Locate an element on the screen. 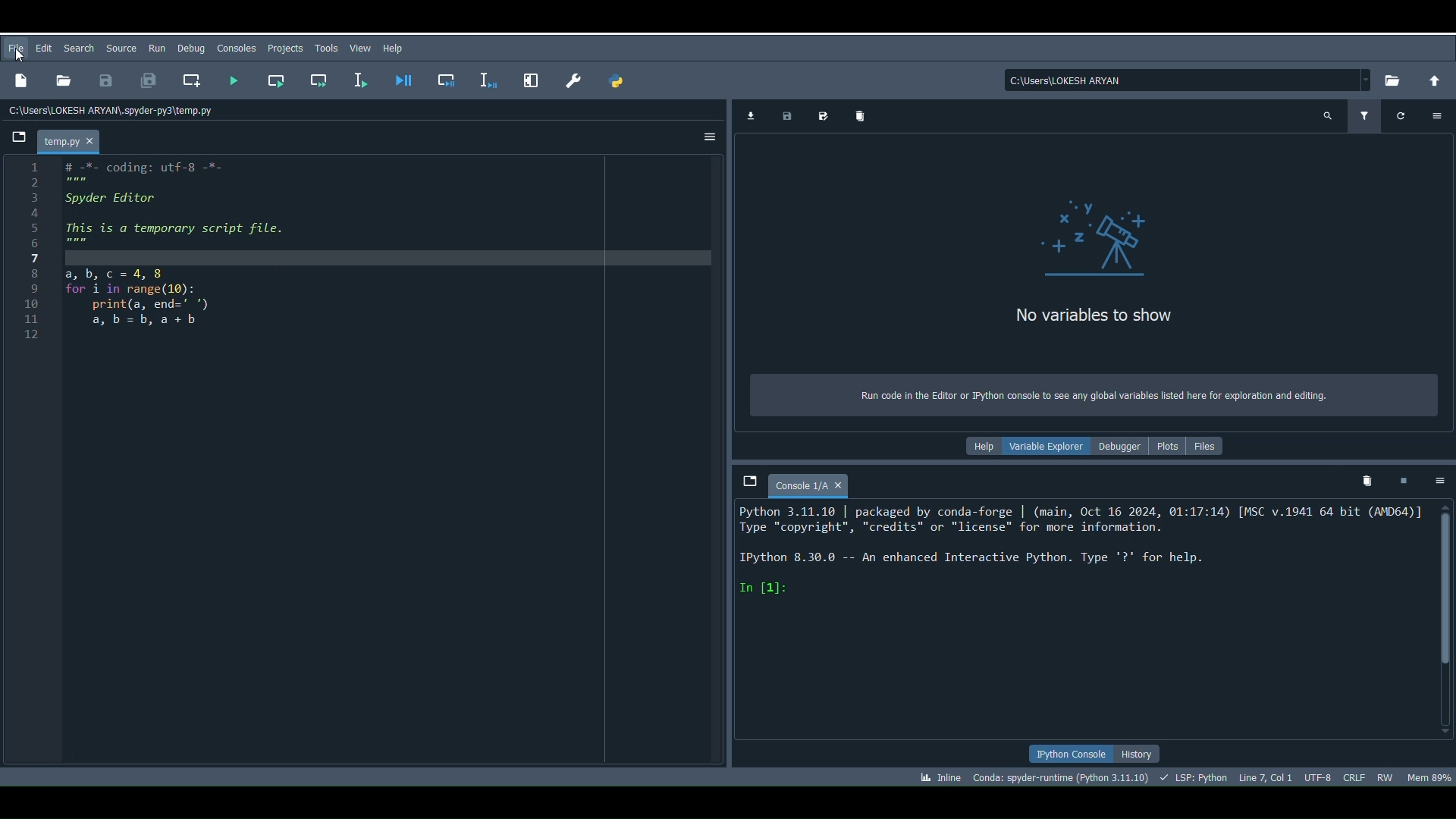 Image resolution: width=1456 pixels, height=819 pixels. Options is located at coordinates (1434, 116).